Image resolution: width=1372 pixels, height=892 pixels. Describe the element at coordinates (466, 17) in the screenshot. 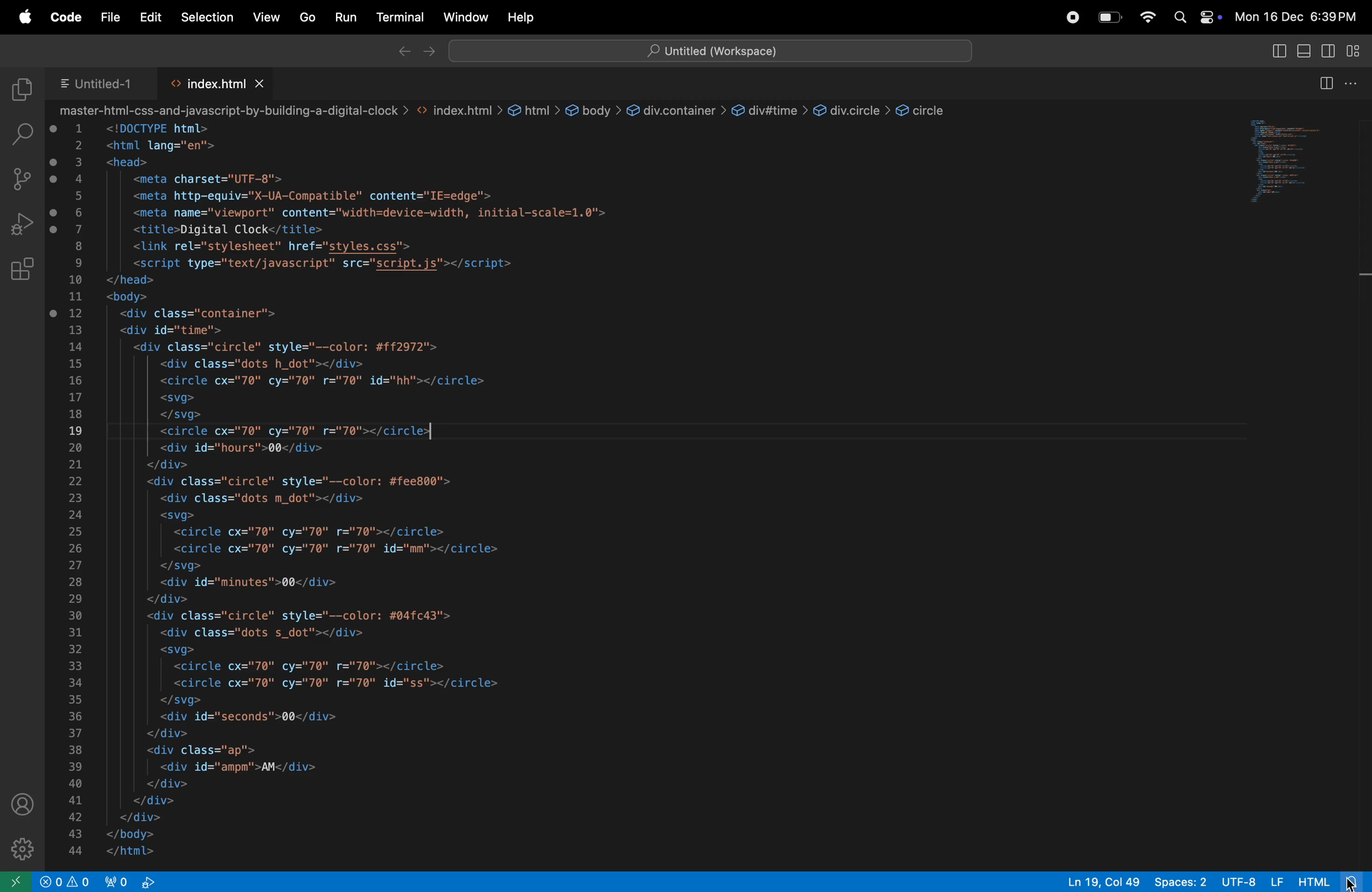

I see `windows` at that location.